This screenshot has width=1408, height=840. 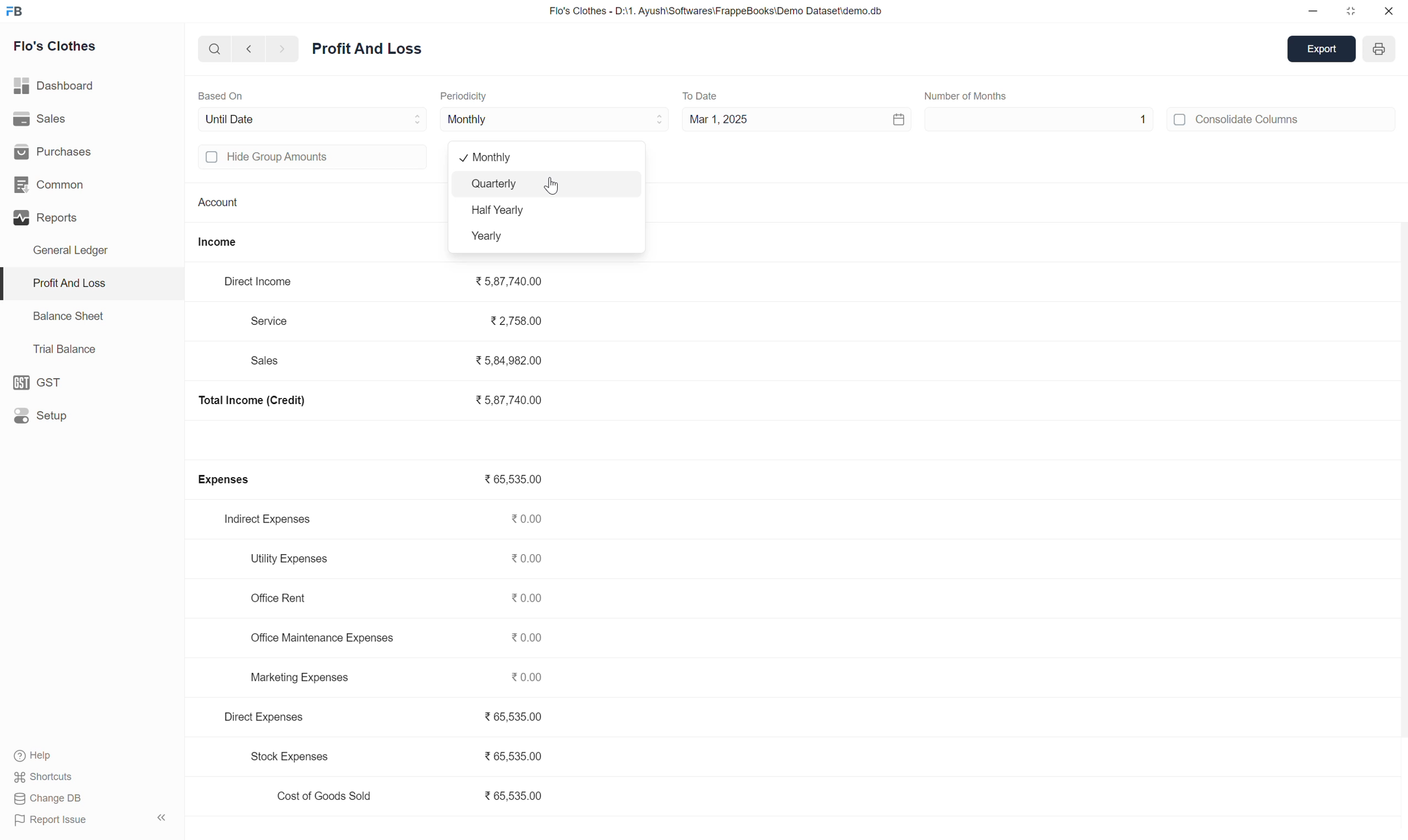 I want to click on Search bar, so click(x=207, y=52).